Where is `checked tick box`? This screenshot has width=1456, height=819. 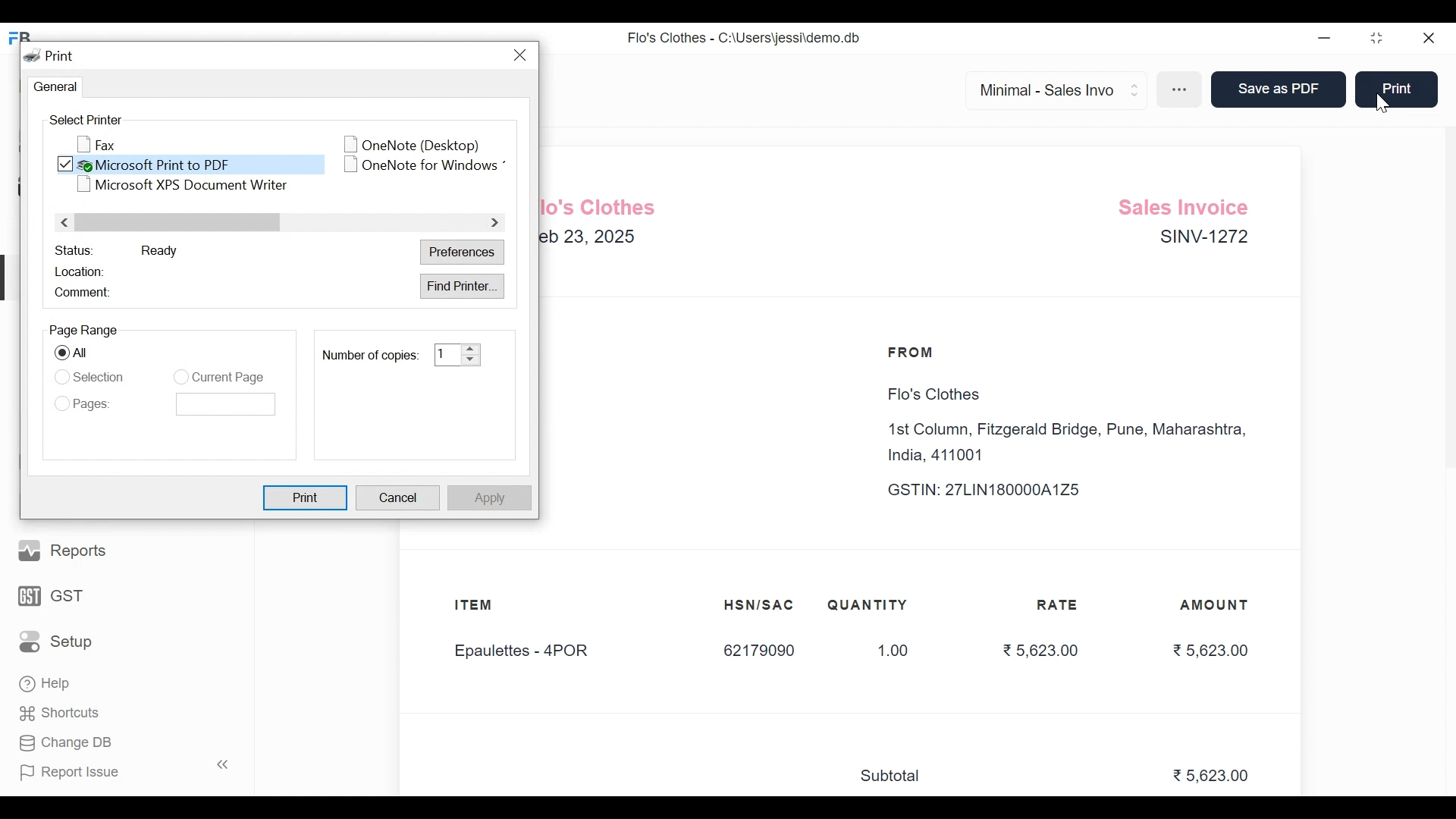 checked tick box is located at coordinates (66, 165).